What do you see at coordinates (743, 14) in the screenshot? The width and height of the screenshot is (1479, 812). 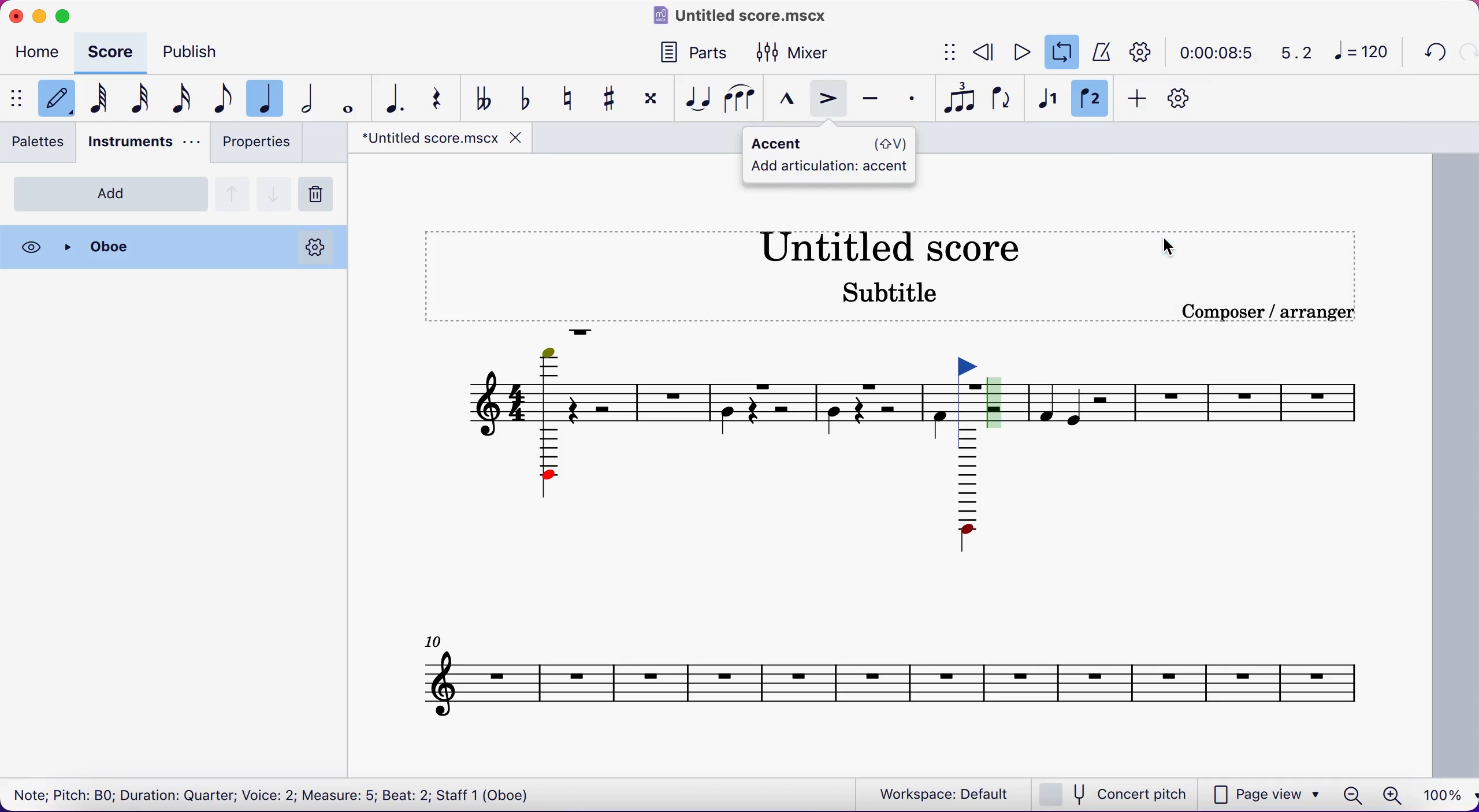 I see `Untitled score.mscx` at bounding box center [743, 14].